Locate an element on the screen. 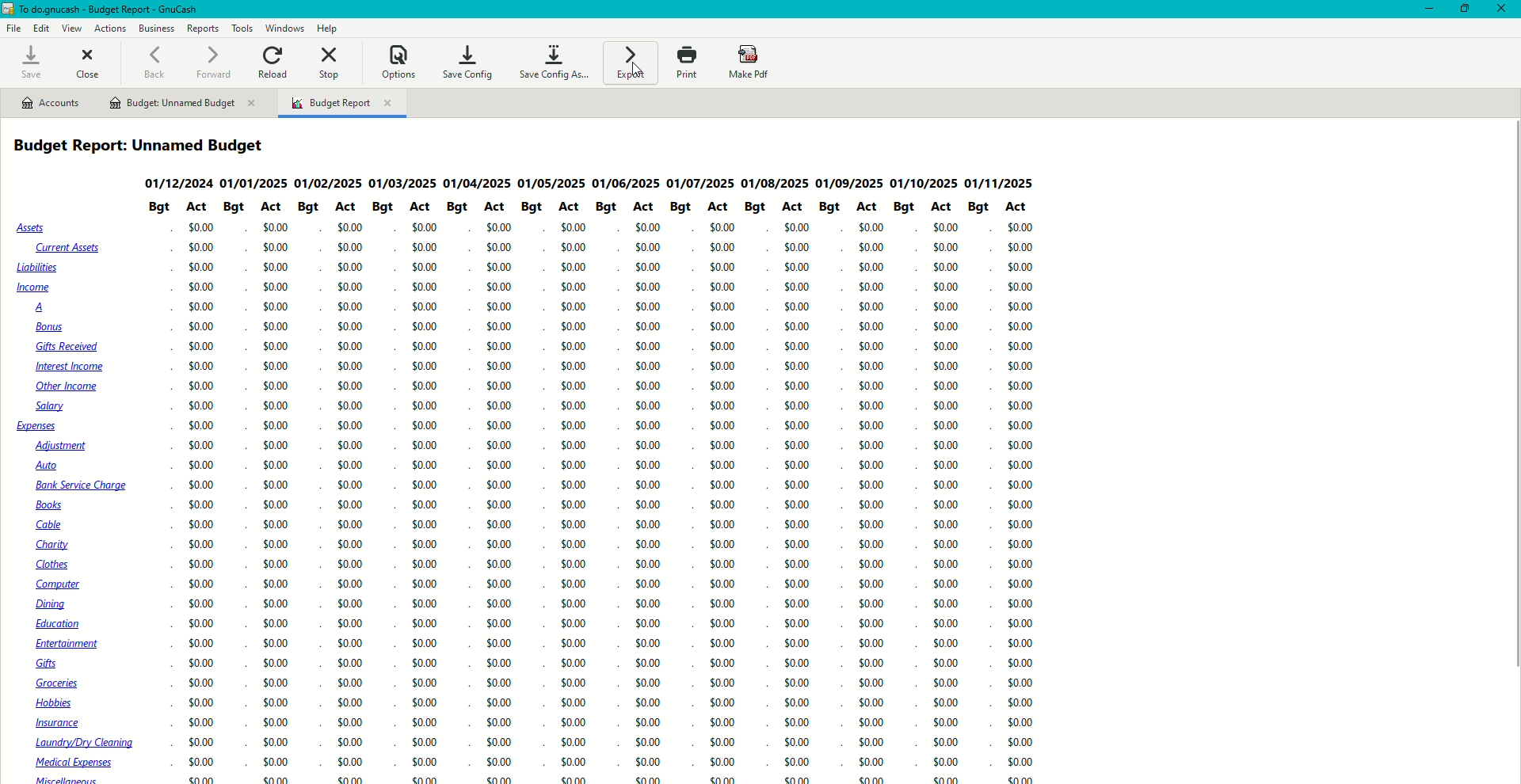 Image resolution: width=1521 pixels, height=784 pixels. $0.00 is located at coordinates (496, 686).